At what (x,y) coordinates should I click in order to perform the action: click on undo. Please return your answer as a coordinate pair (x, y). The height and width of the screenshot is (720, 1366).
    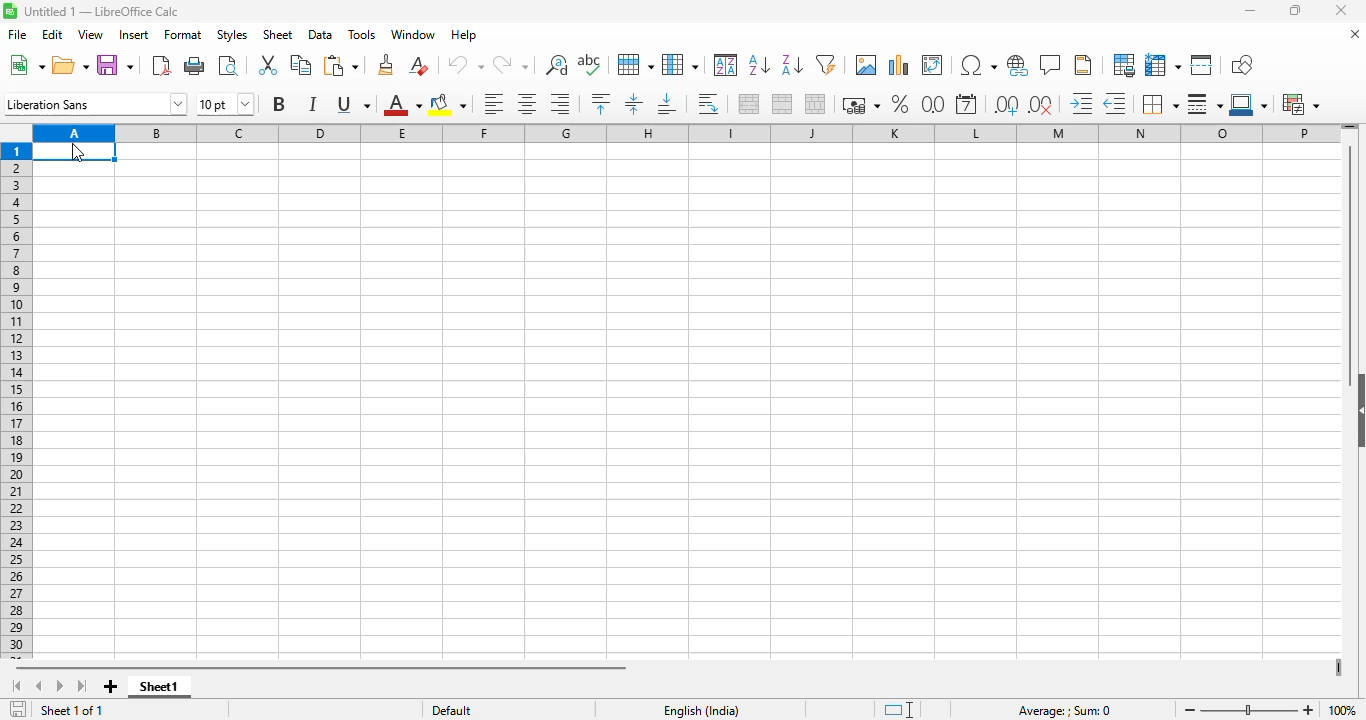
    Looking at the image, I should click on (464, 65).